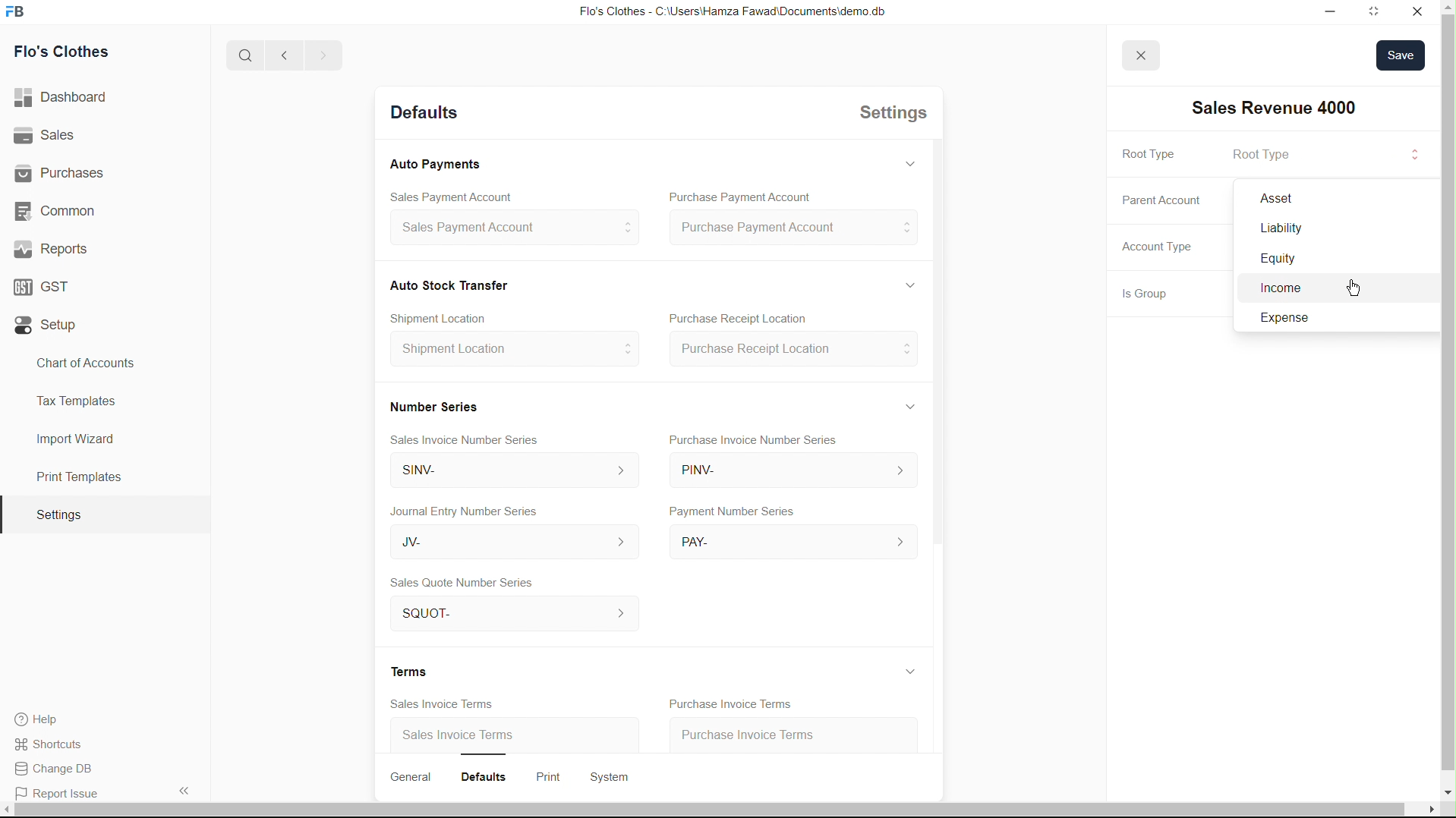 The height and width of the screenshot is (818, 1456). What do you see at coordinates (443, 165) in the screenshot?
I see `Auto Payments` at bounding box center [443, 165].